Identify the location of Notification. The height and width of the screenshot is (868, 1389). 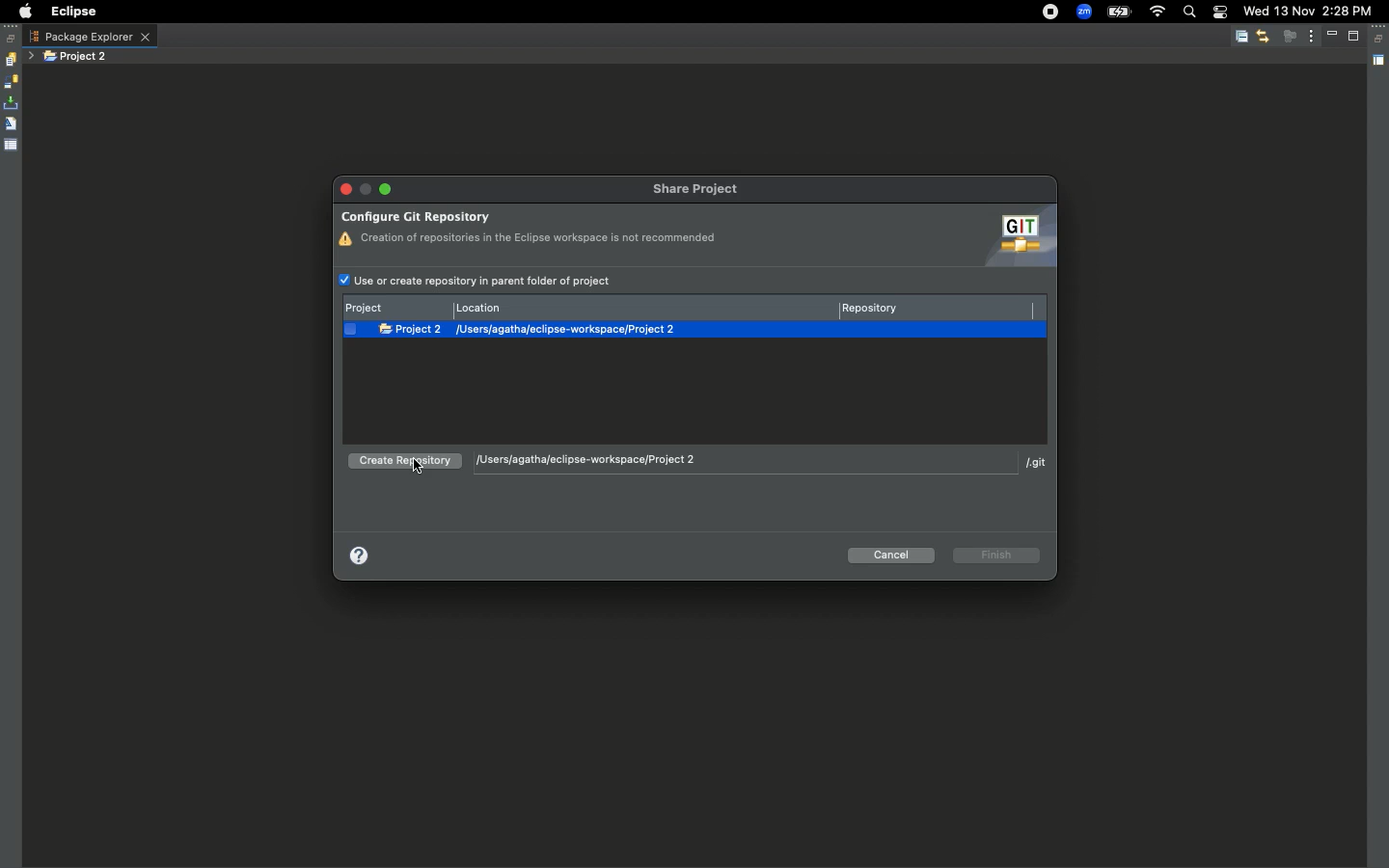
(1219, 14).